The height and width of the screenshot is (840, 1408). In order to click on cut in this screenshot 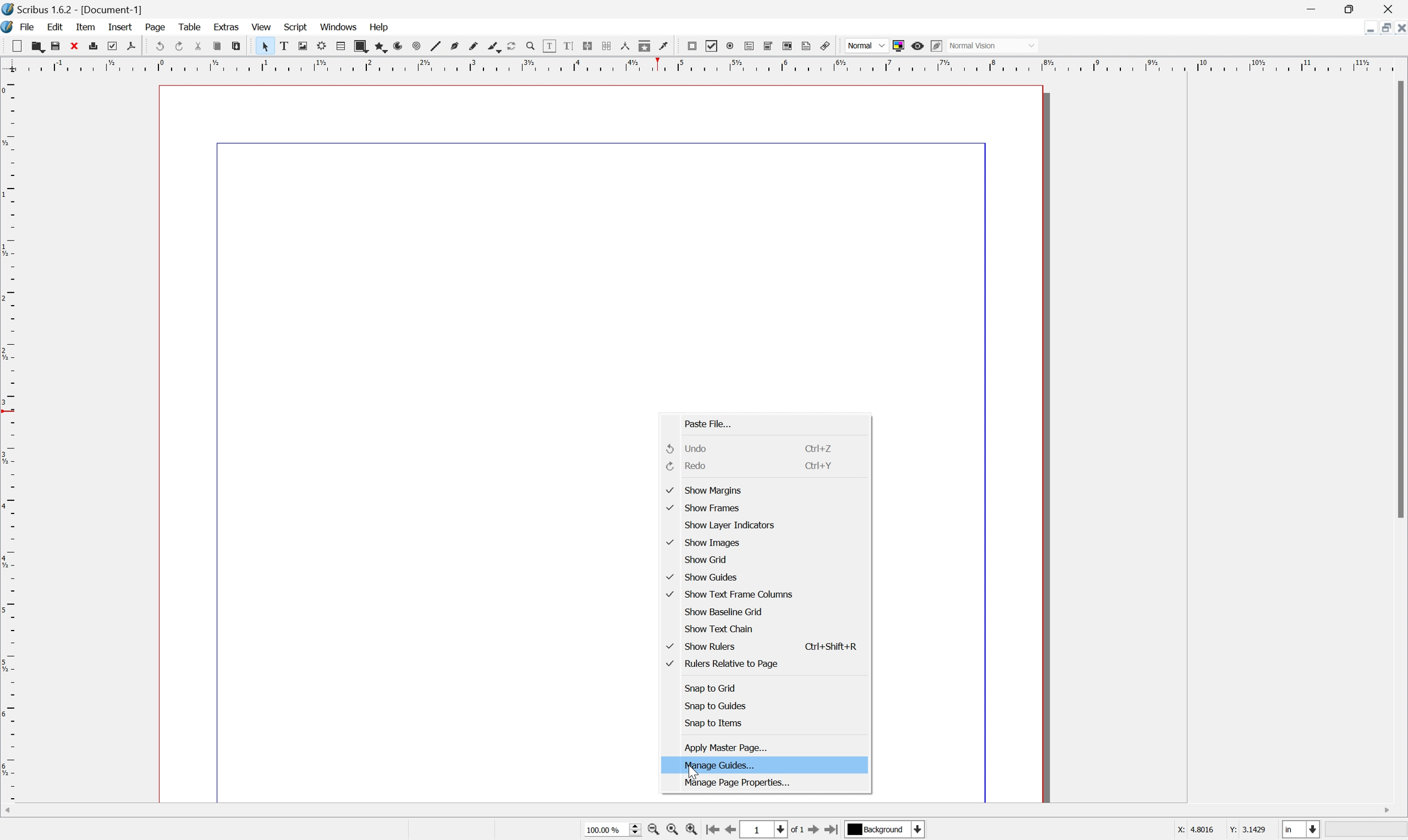, I will do `click(198, 45)`.